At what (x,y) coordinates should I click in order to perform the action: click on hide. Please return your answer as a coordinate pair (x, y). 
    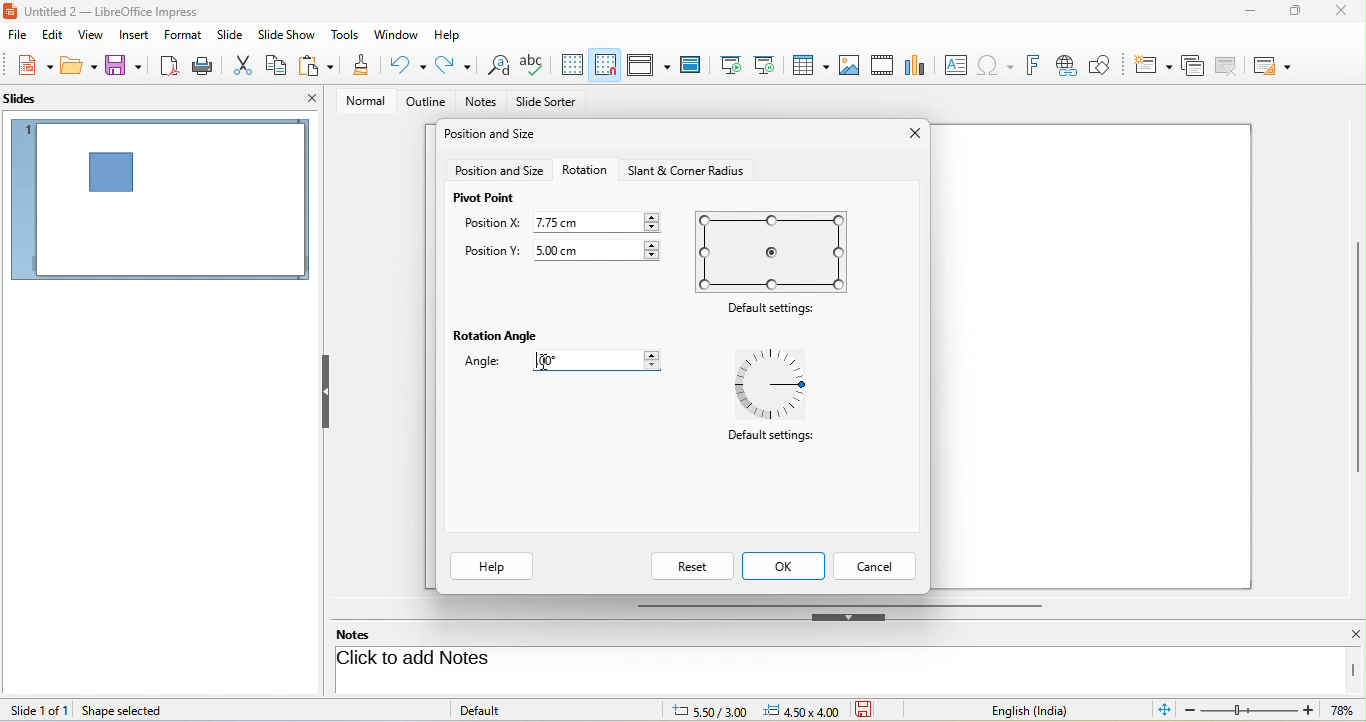
    Looking at the image, I should click on (849, 617).